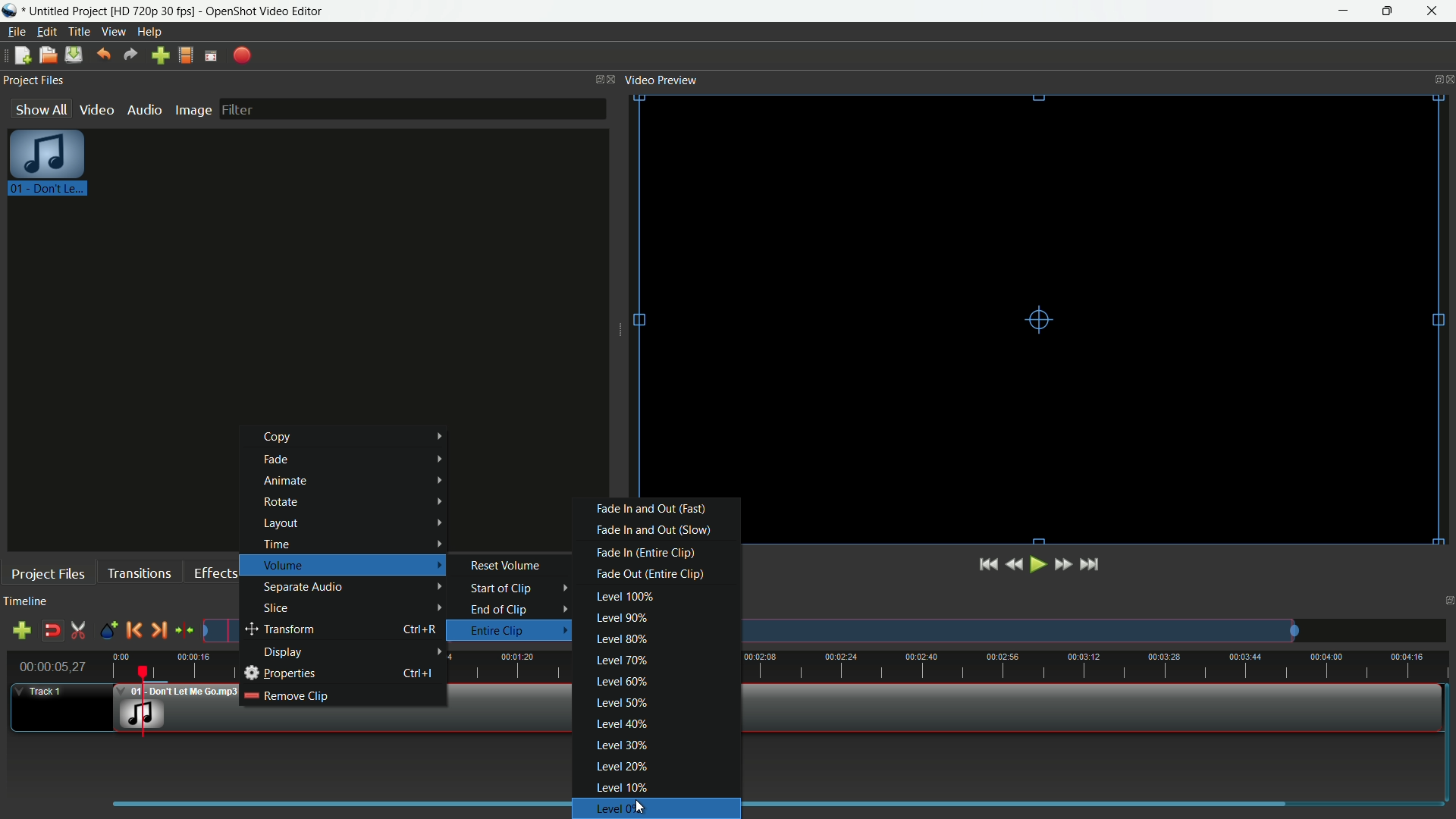 This screenshot has height=819, width=1456. Describe the element at coordinates (14, 33) in the screenshot. I see `file menu` at that location.